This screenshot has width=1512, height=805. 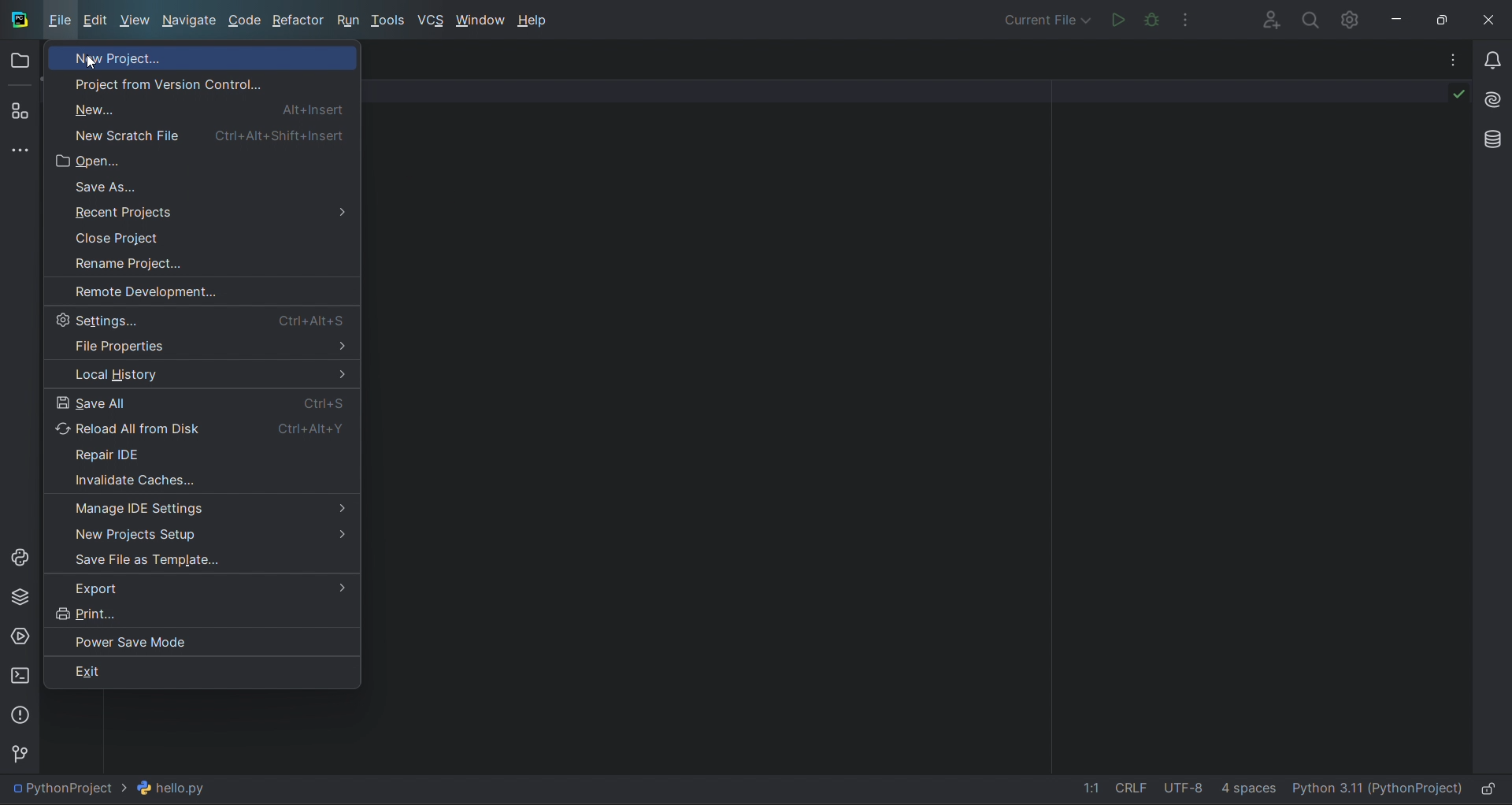 What do you see at coordinates (1166, 791) in the screenshot?
I see `file data` at bounding box center [1166, 791].